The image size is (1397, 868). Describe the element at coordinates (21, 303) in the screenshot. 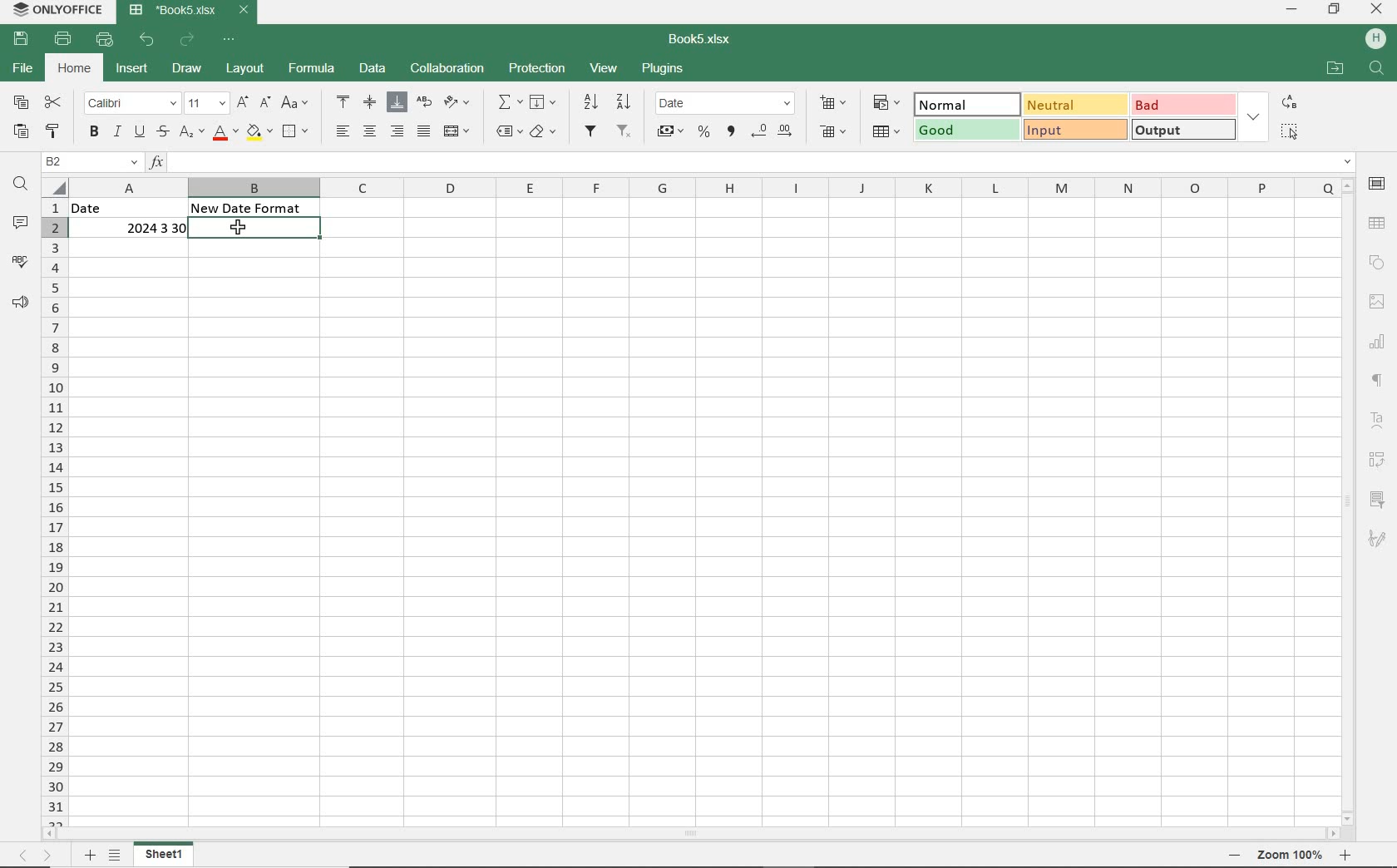

I see `FEEDBACK & SUPPORT` at that location.